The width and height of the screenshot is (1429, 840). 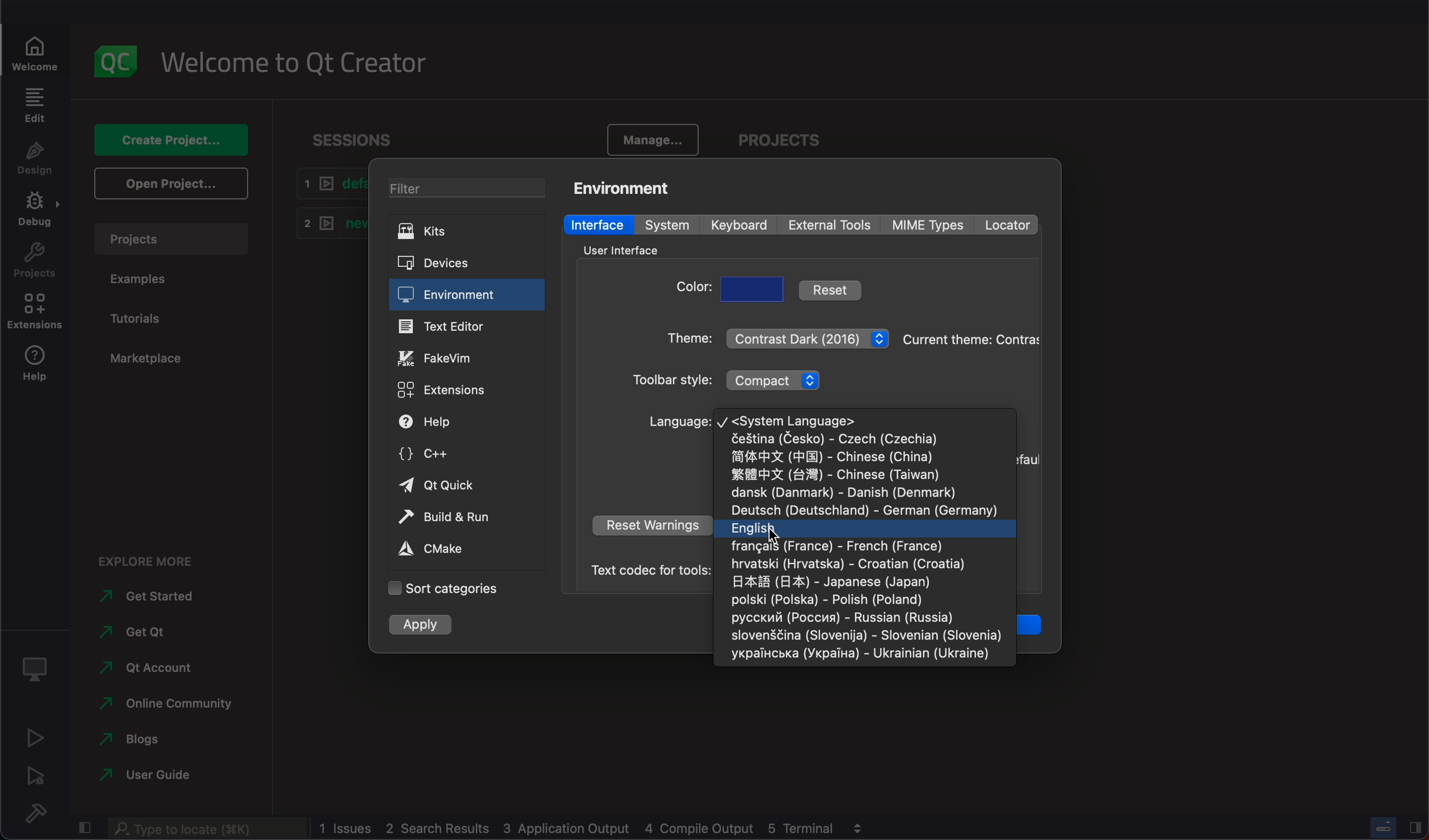 I want to click on reset, so click(x=832, y=288).